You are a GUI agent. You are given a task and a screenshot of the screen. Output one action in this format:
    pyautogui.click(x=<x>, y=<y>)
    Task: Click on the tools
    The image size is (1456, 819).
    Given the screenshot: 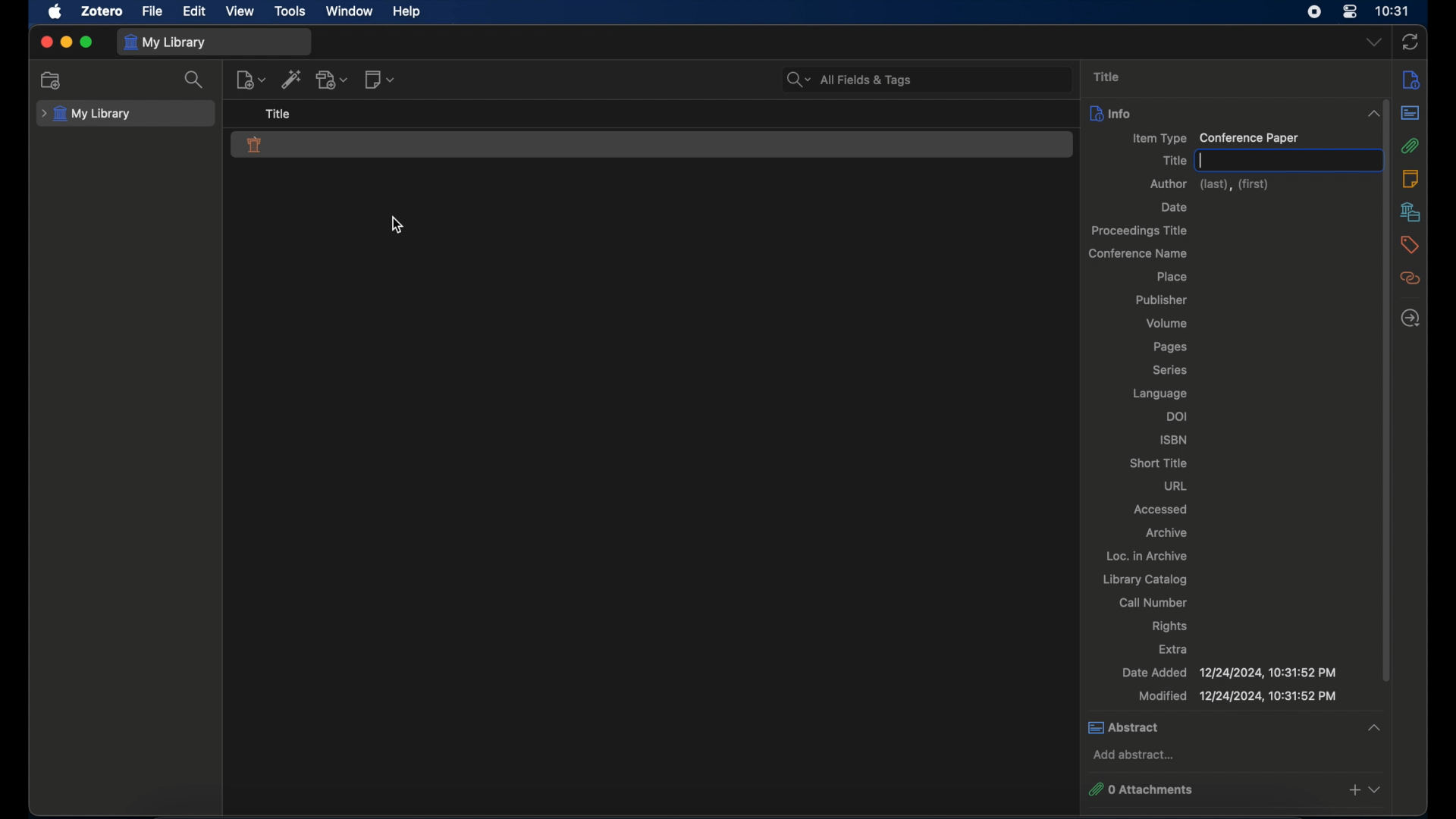 What is the action you would take?
    pyautogui.click(x=290, y=11)
    